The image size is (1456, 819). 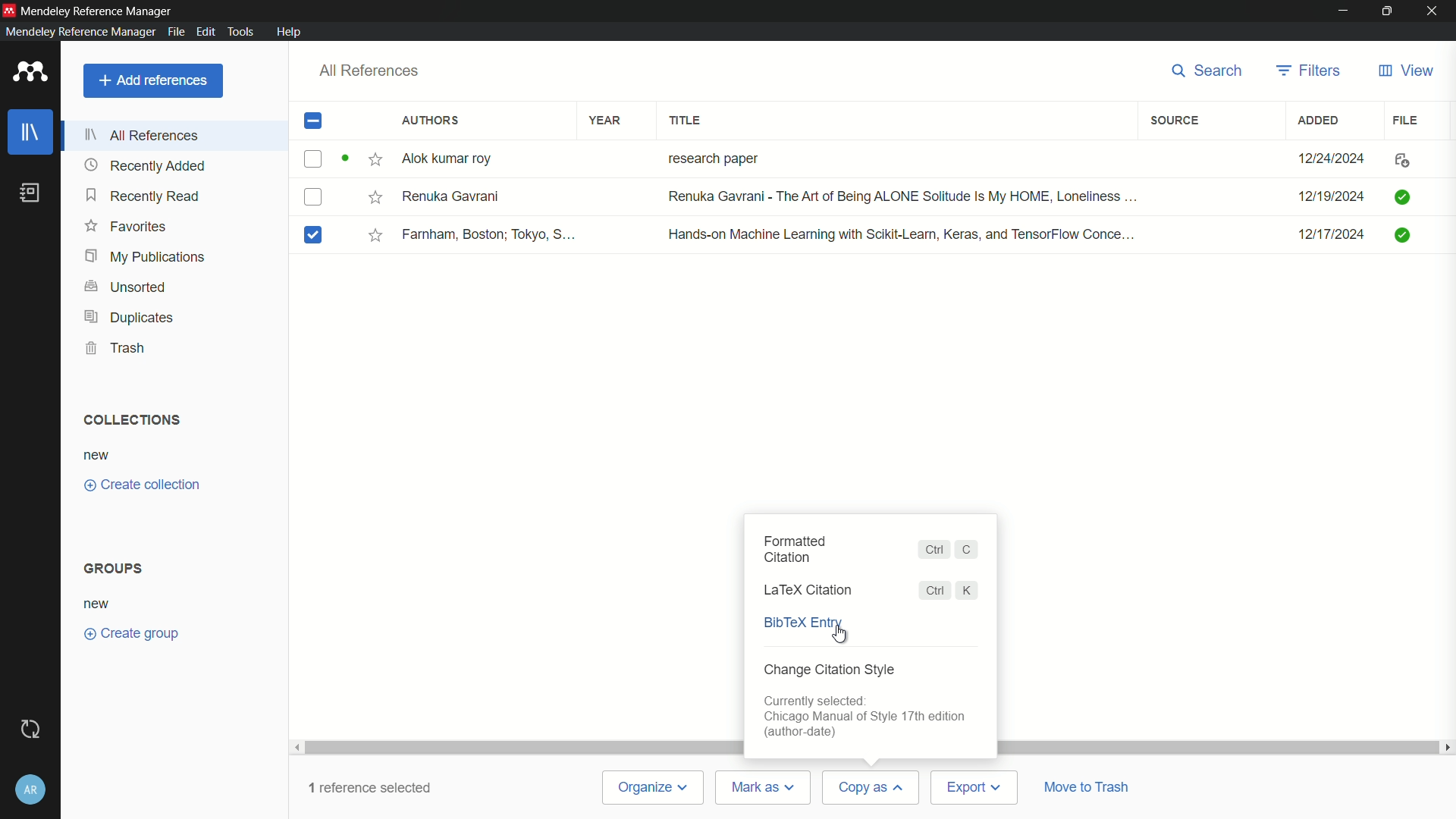 What do you see at coordinates (834, 637) in the screenshot?
I see `cursor` at bounding box center [834, 637].